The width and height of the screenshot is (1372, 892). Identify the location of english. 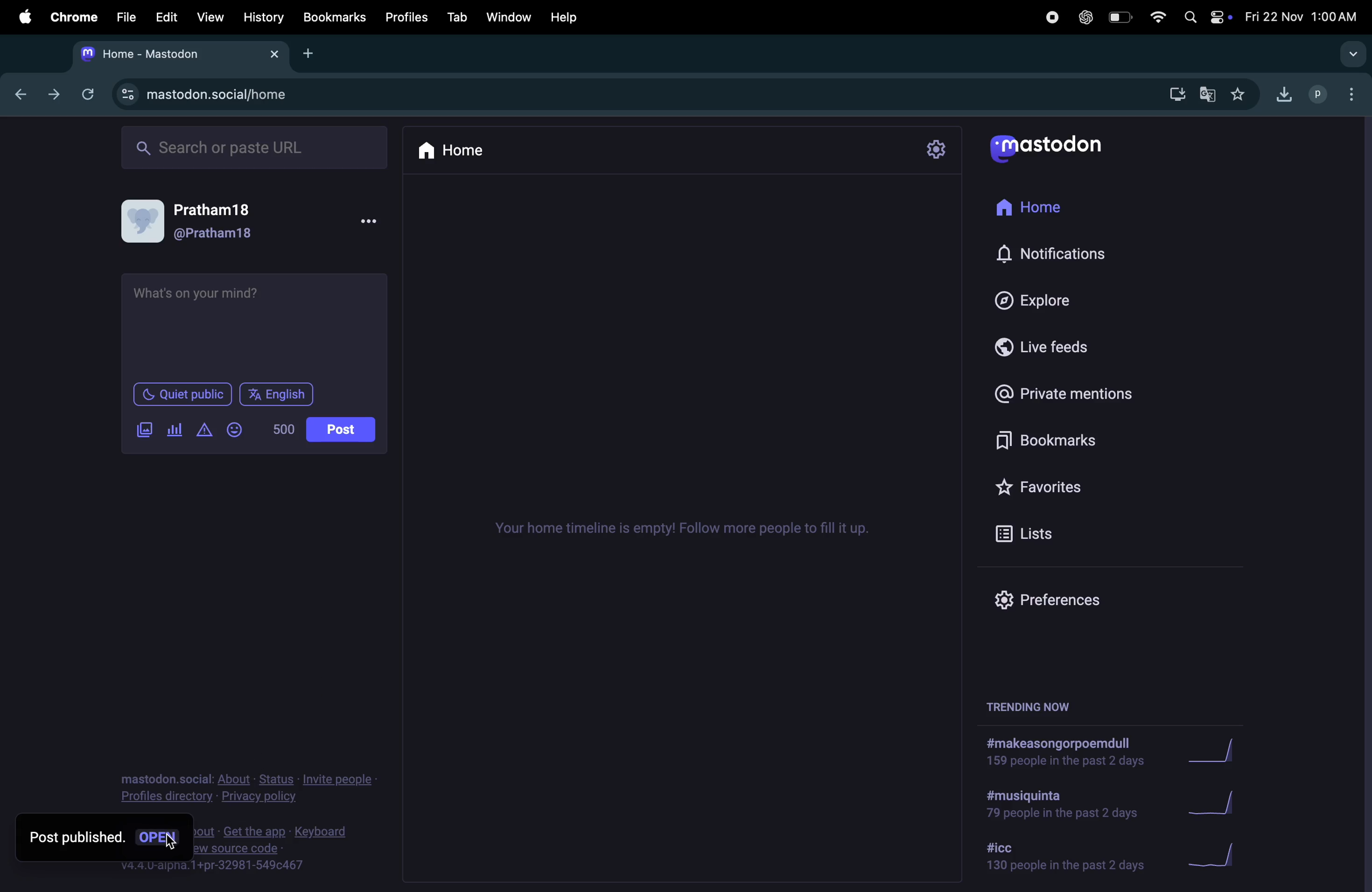
(278, 394).